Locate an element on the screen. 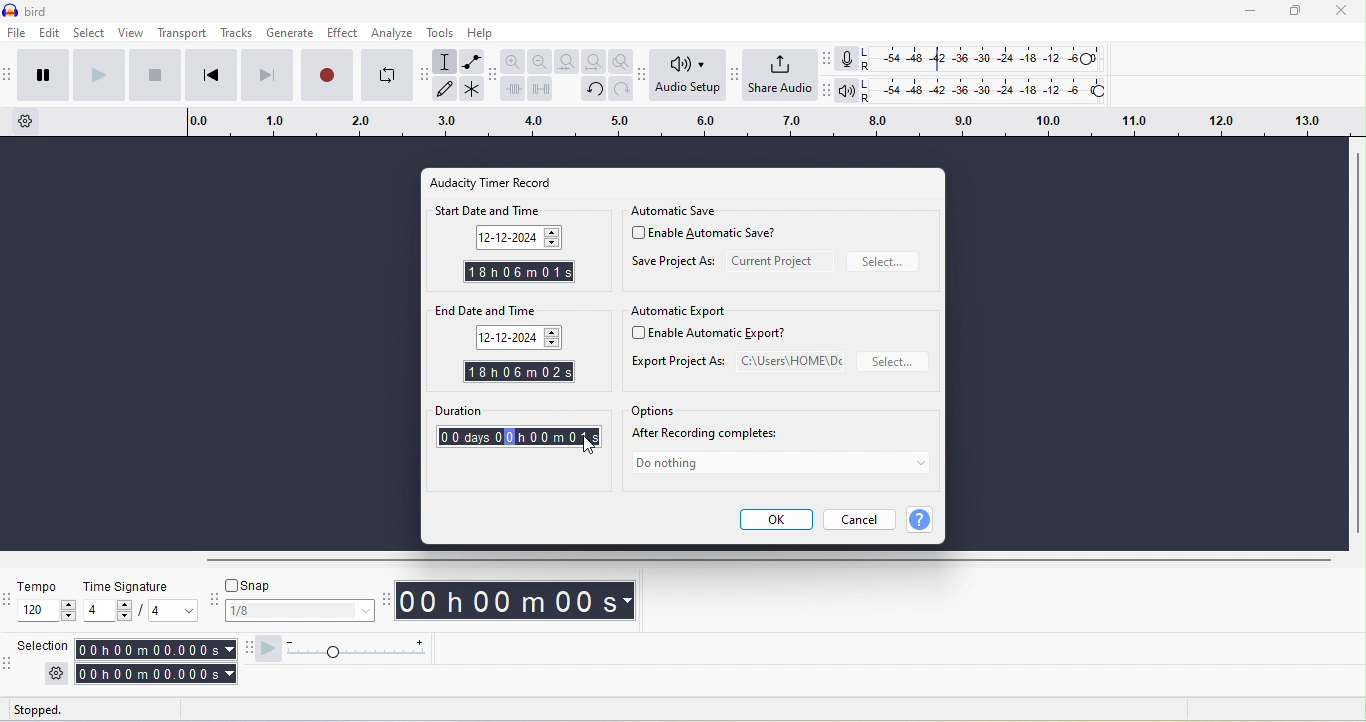 The image size is (1366, 722). cursor is located at coordinates (587, 446).